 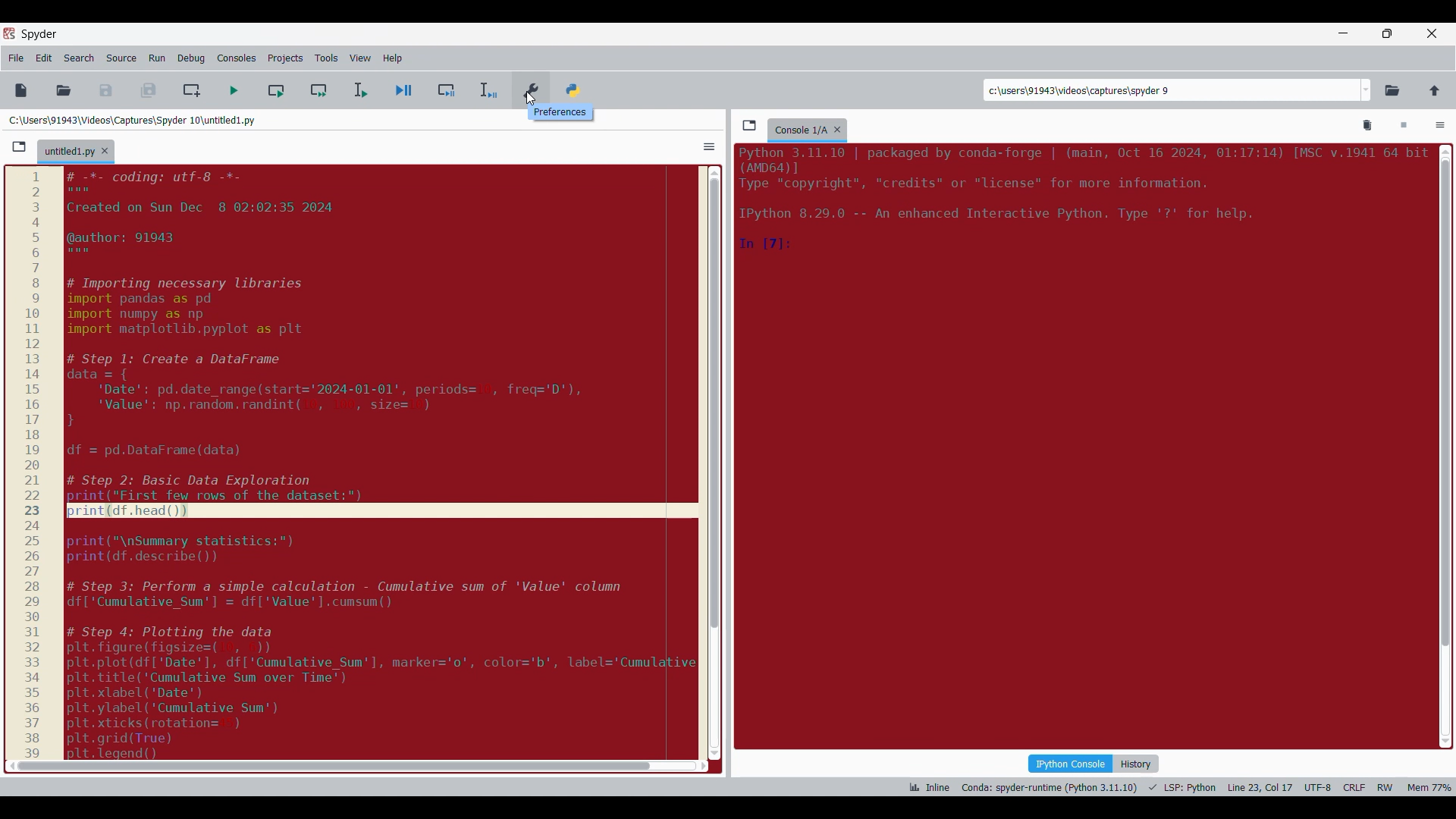 I want to click on Debug menu, so click(x=191, y=58).